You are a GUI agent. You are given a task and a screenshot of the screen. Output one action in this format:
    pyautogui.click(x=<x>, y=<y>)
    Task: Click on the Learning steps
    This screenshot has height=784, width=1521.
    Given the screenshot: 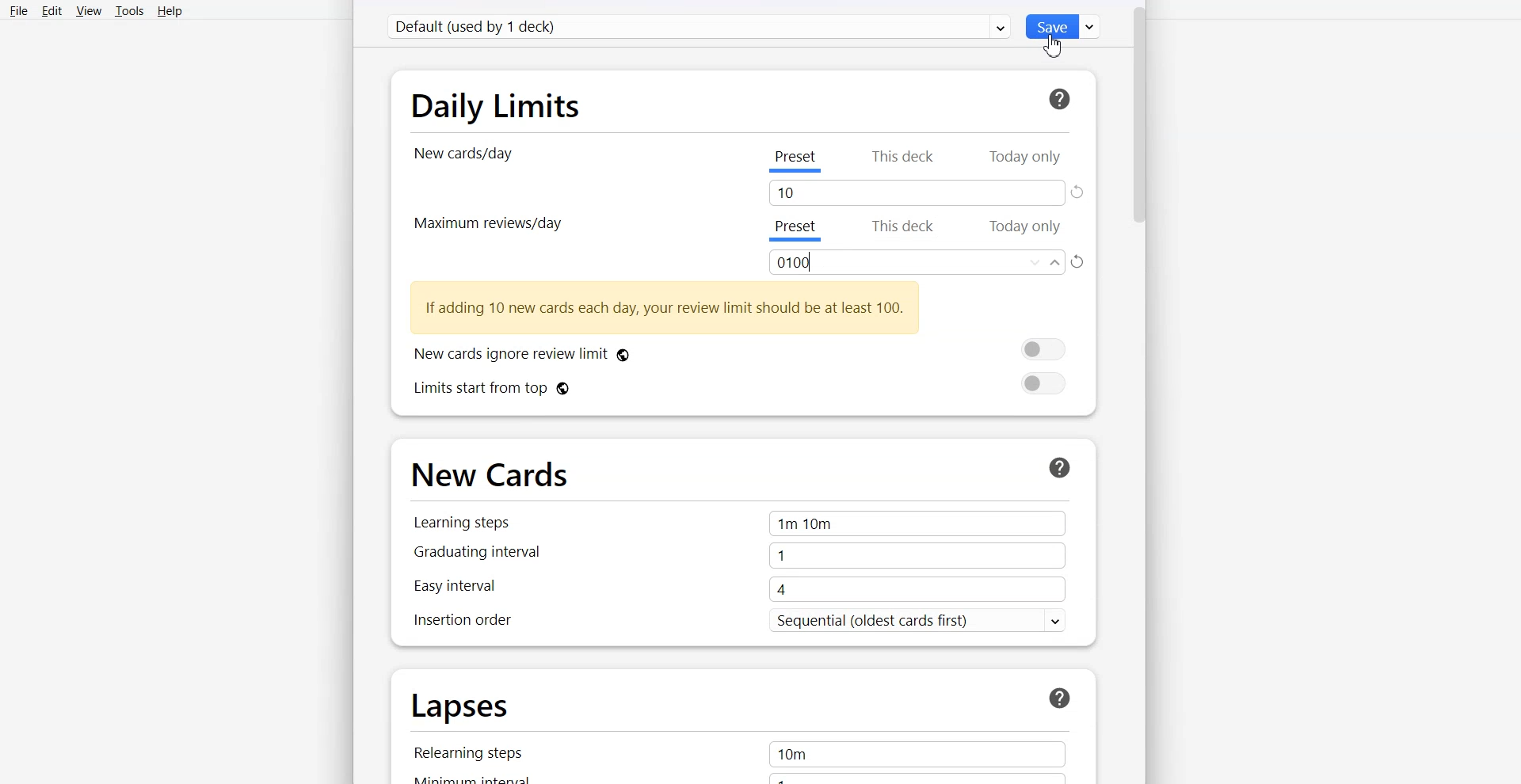 What is the action you would take?
    pyautogui.click(x=737, y=523)
    